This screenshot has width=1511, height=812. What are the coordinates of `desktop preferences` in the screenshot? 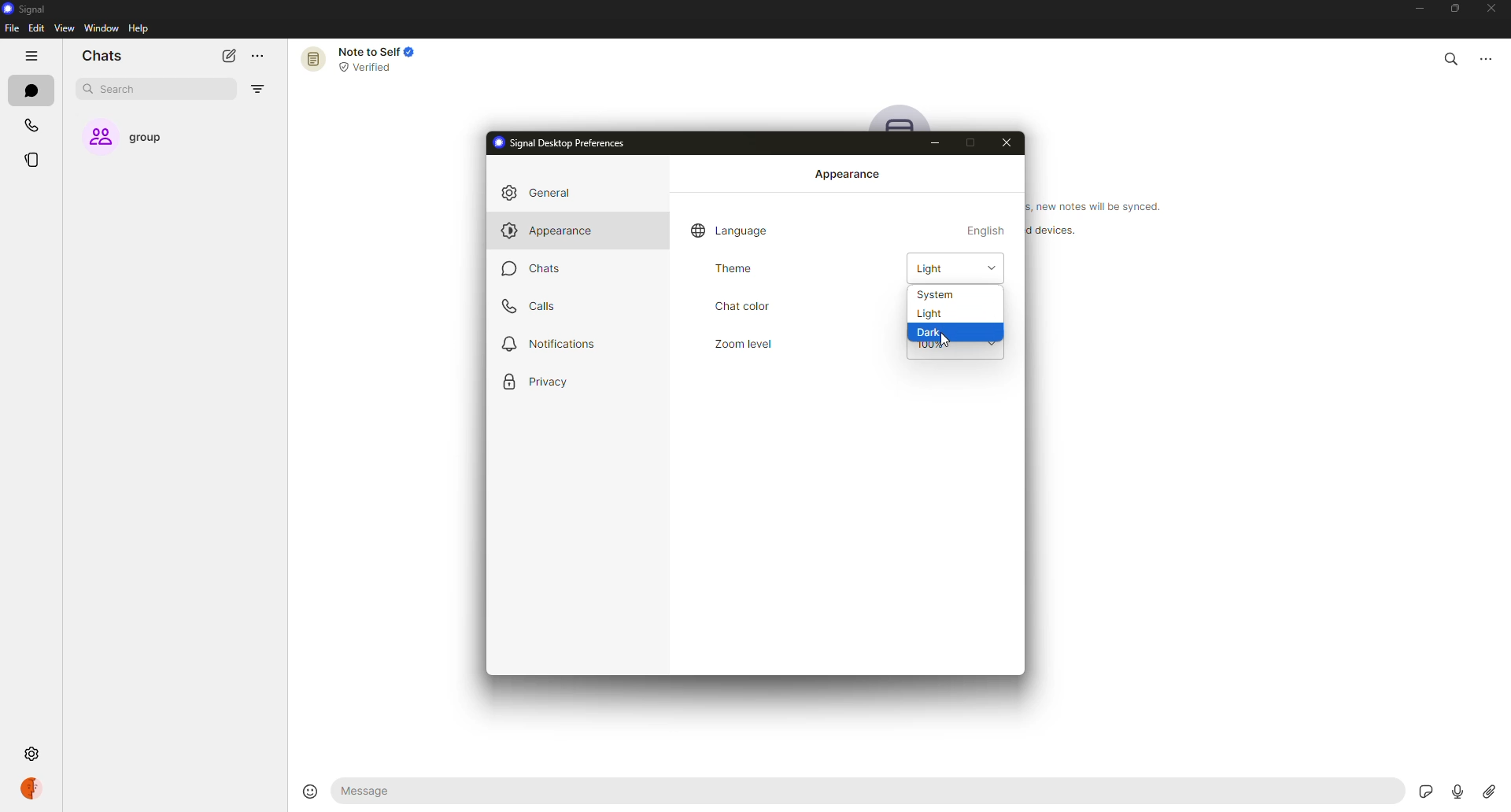 It's located at (564, 142).